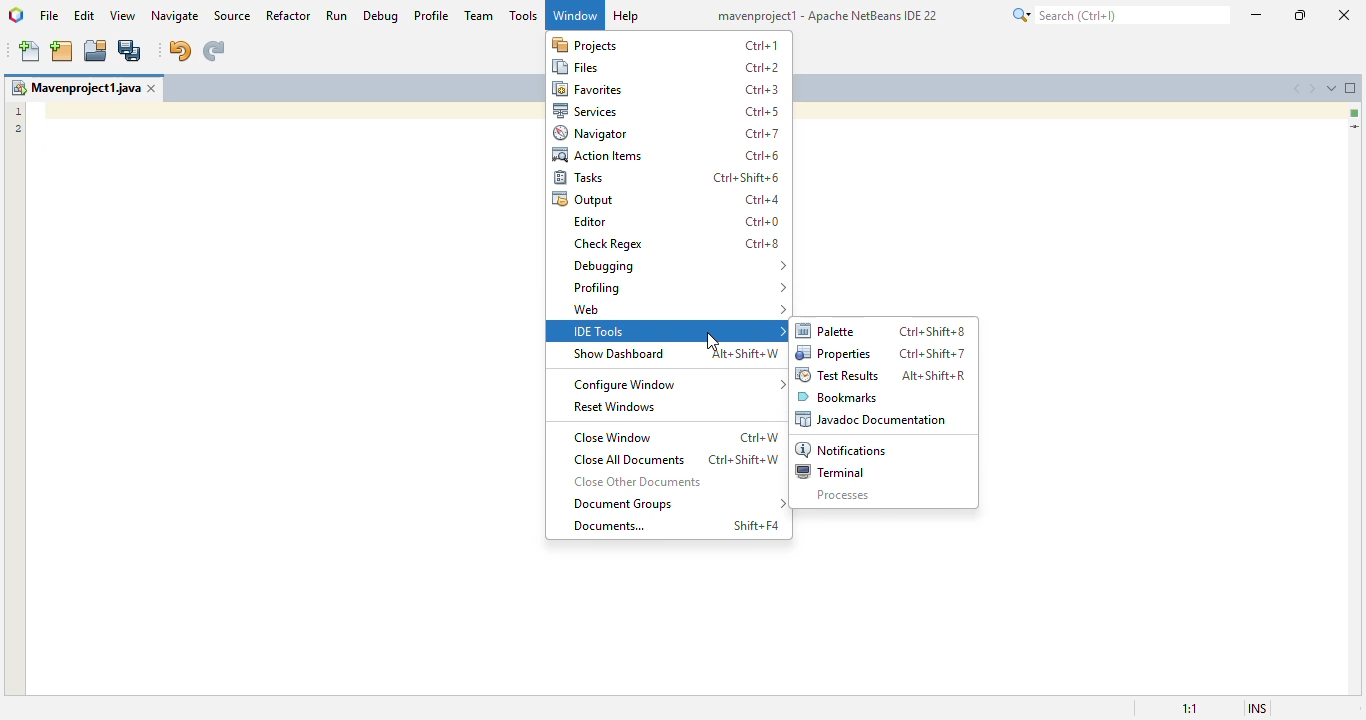 The image size is (1366, 720). What do you see at coordinates (873, 419) in the screenshot?
I see `javadoc documentation` at bounding box center [873, 419].